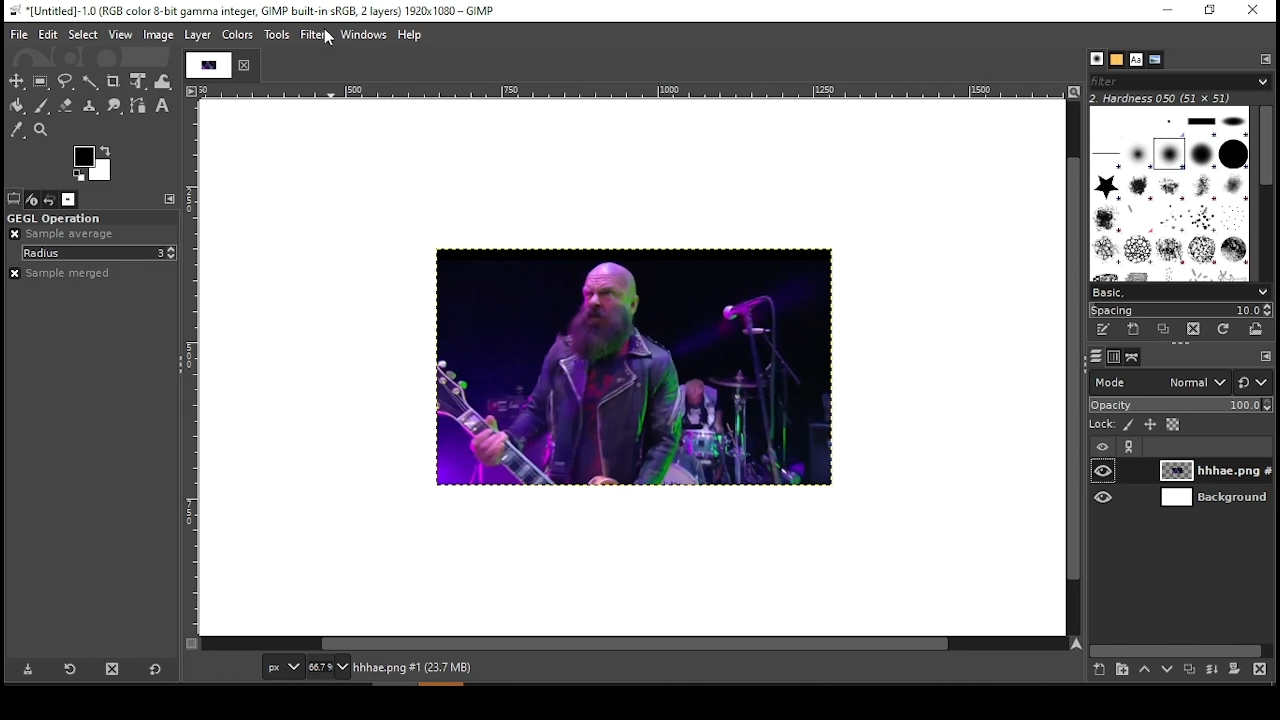 This screenshot has width=1280, height=720. What do you see at coordinates (50, 198) in the screenshot?
I see `undo history` at bounding box center [50, 198].